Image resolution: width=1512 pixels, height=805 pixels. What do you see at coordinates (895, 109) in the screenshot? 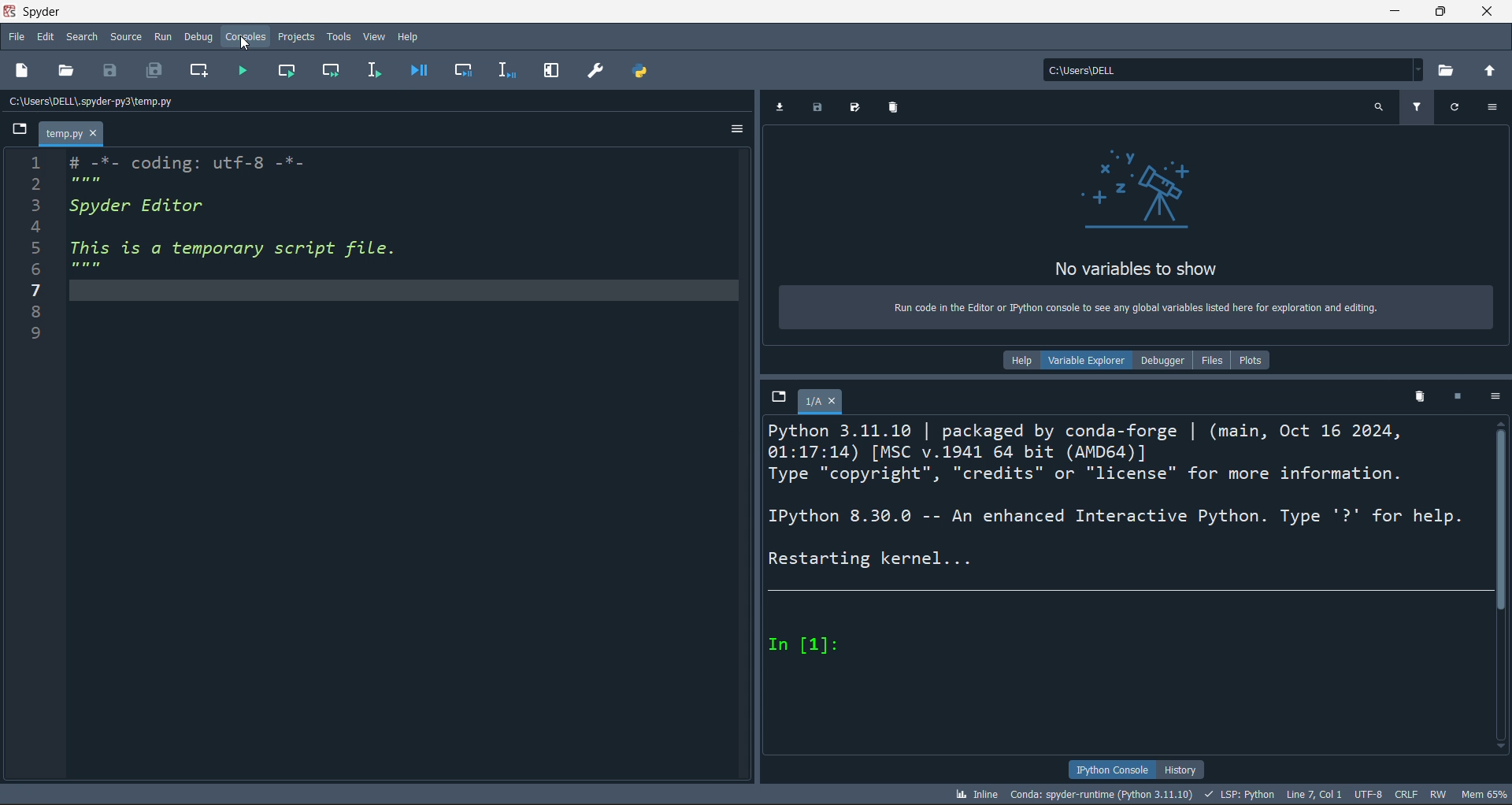
I see `delete variables` at bounding box center [895, 109].